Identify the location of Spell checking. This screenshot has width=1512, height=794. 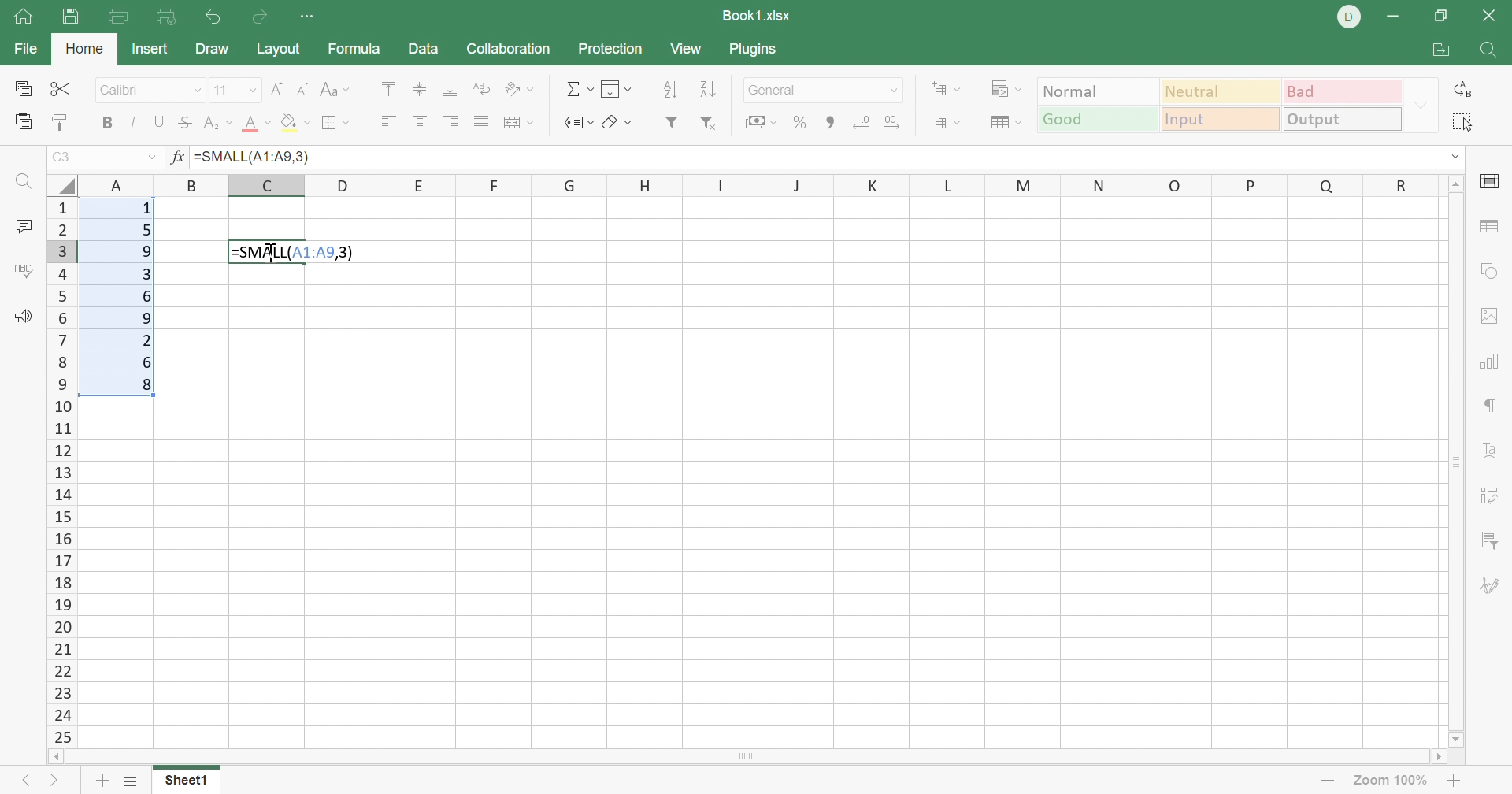
(28, 269).